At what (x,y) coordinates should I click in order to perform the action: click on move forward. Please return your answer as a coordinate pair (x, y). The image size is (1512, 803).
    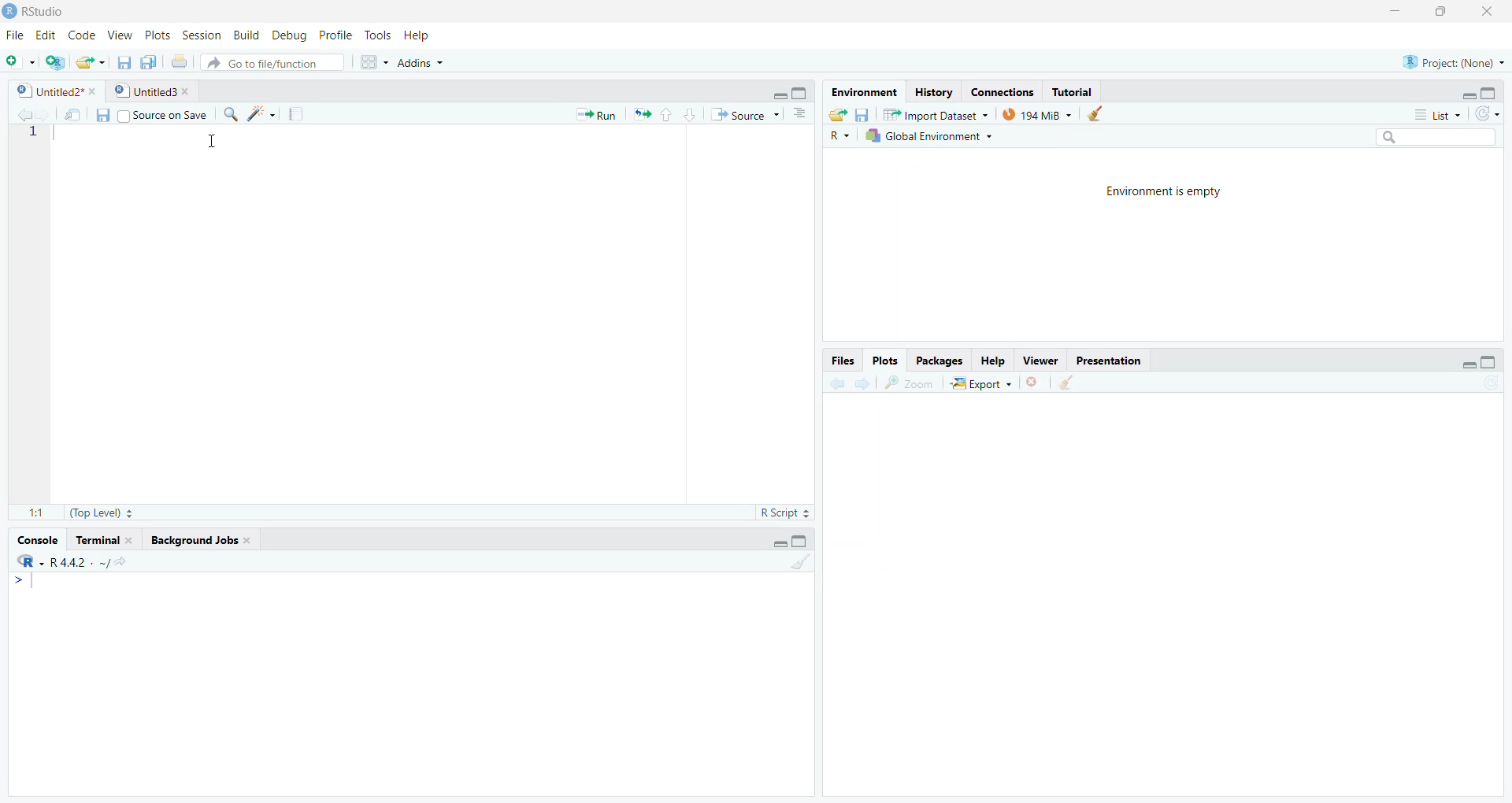
    Looking at the image, I should click on (45, 114).